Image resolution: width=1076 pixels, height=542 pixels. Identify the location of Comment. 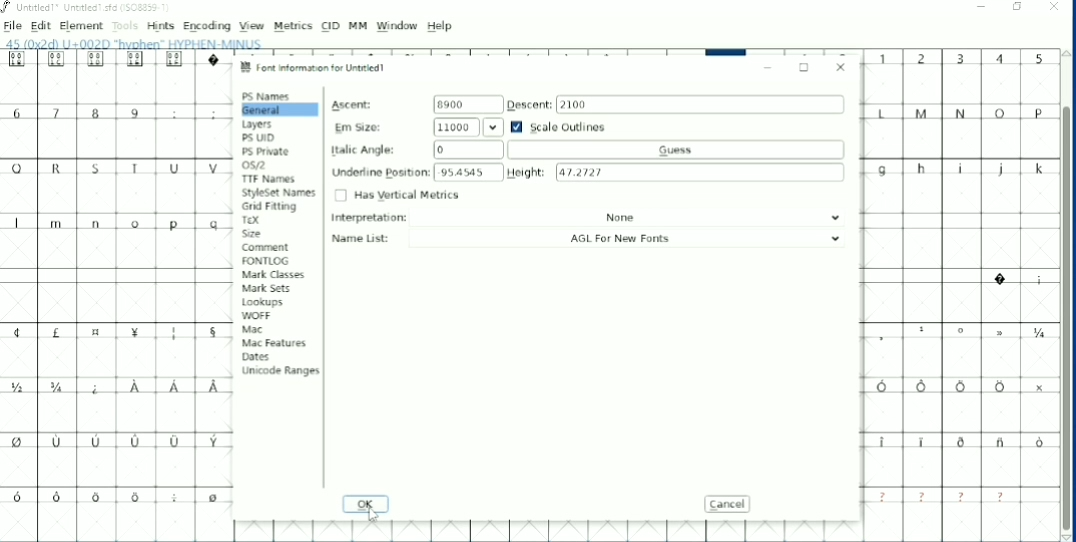
(265, 247).